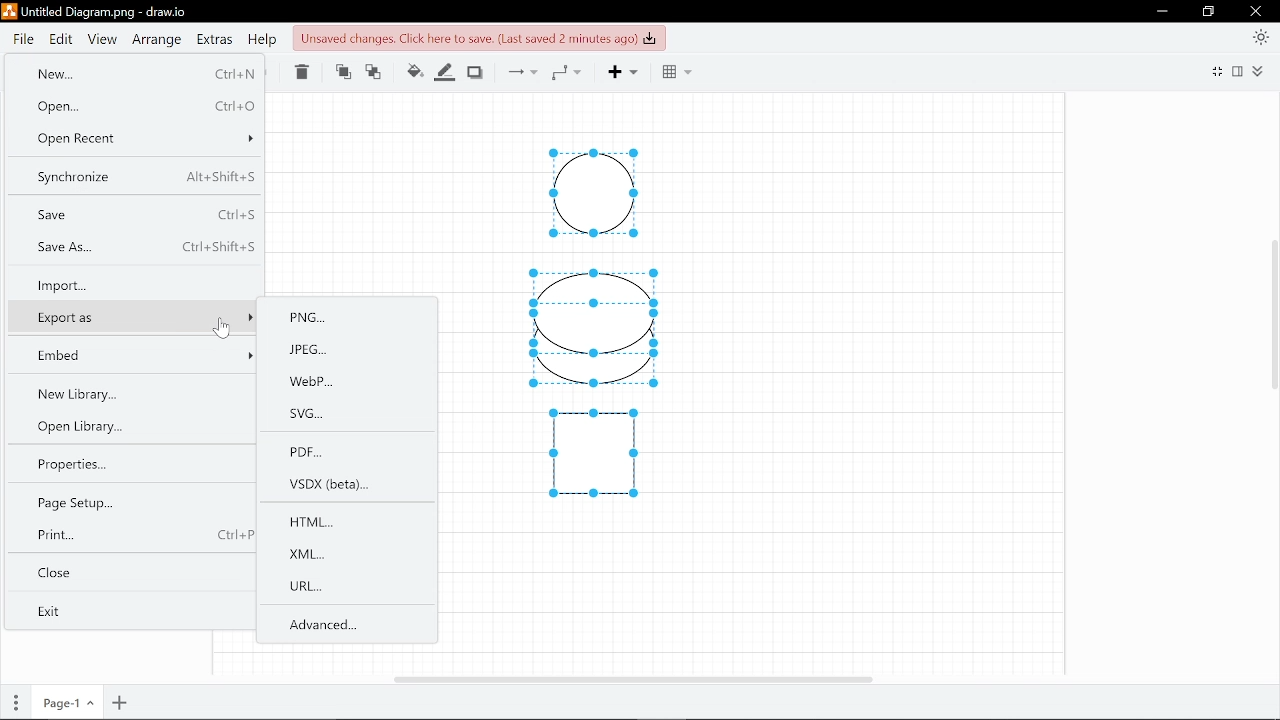 The width and height of the screenshot is (1280, 720). Describe the element at coordinates (1207, 12) in the screenshot. I see `Restore down` at that location.